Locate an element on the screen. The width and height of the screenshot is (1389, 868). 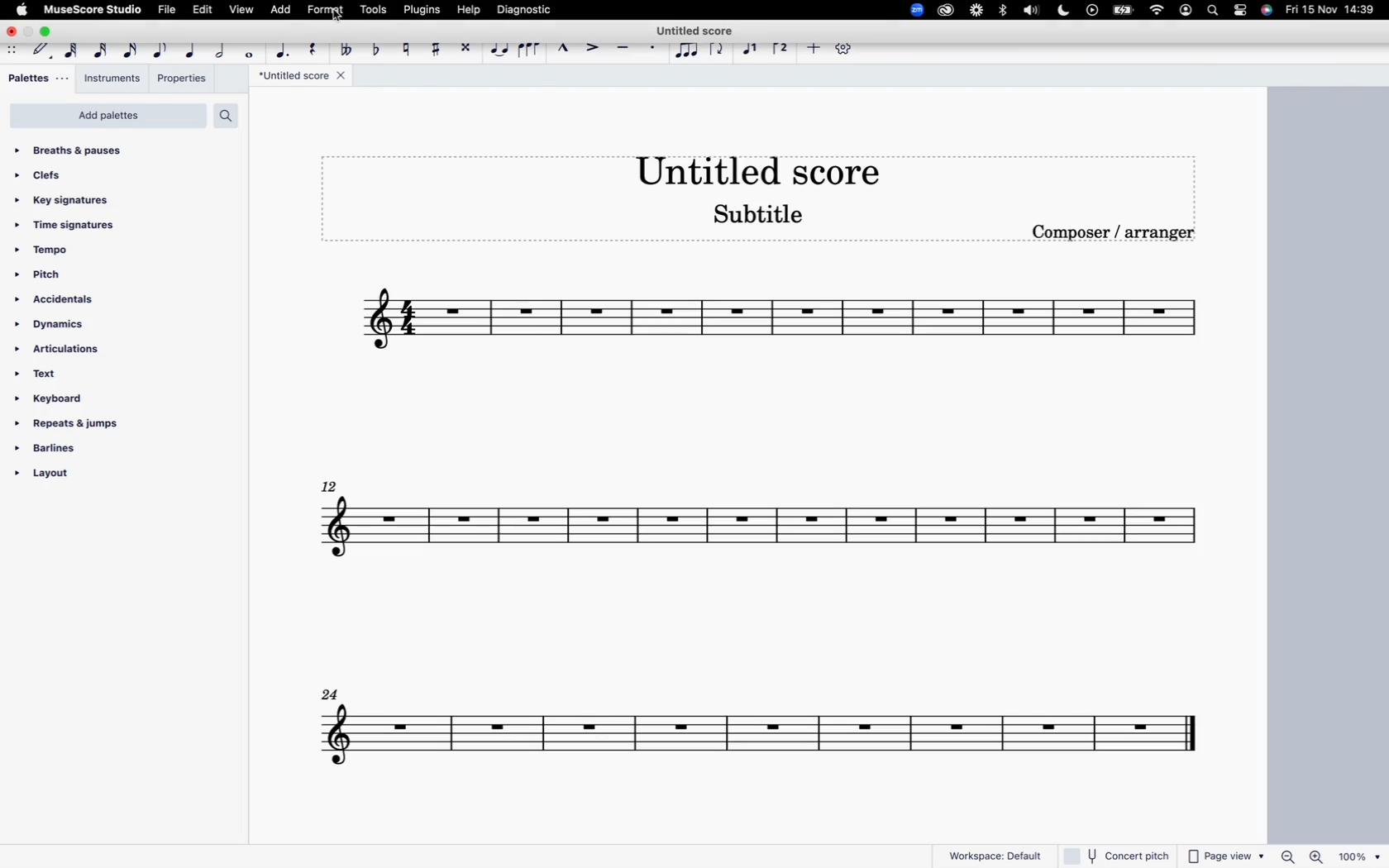
tuplet is located at coordinates (689, 51).